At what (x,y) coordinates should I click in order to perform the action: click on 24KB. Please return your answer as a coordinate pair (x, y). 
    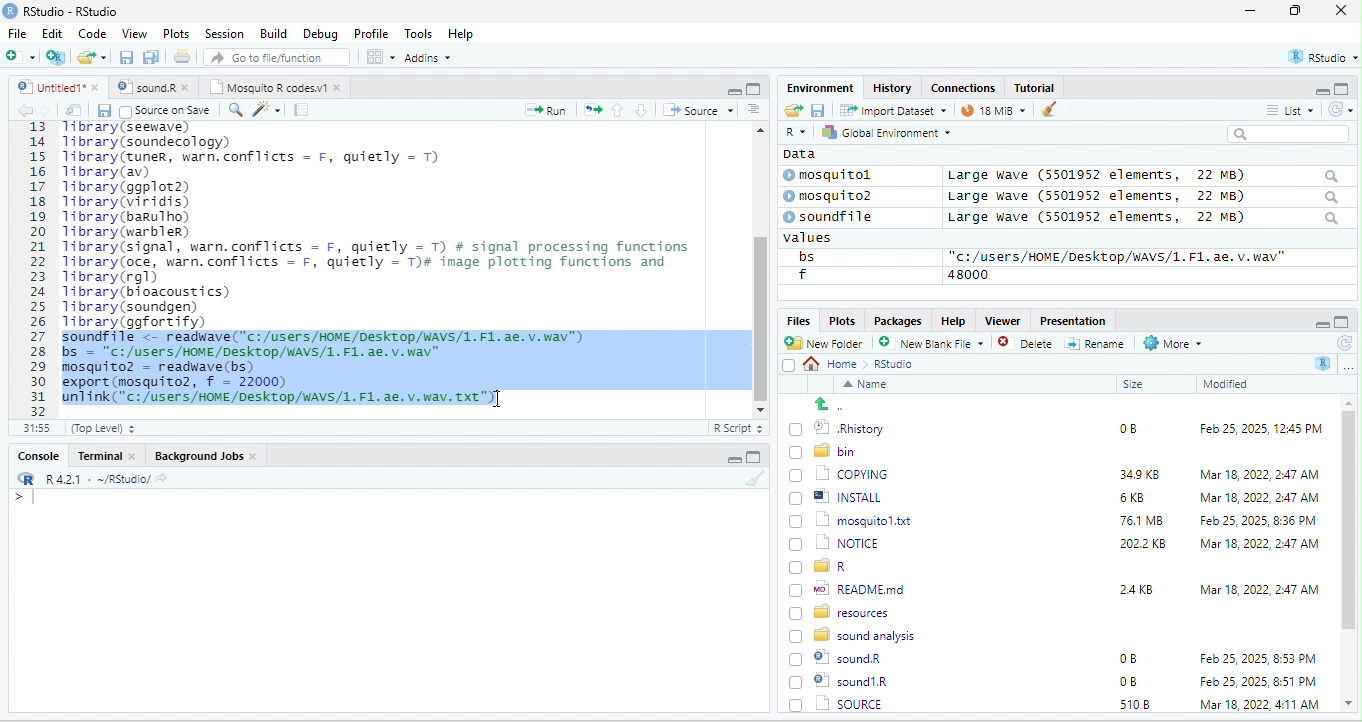
    Looking at the image, I should click on (1133, 588).